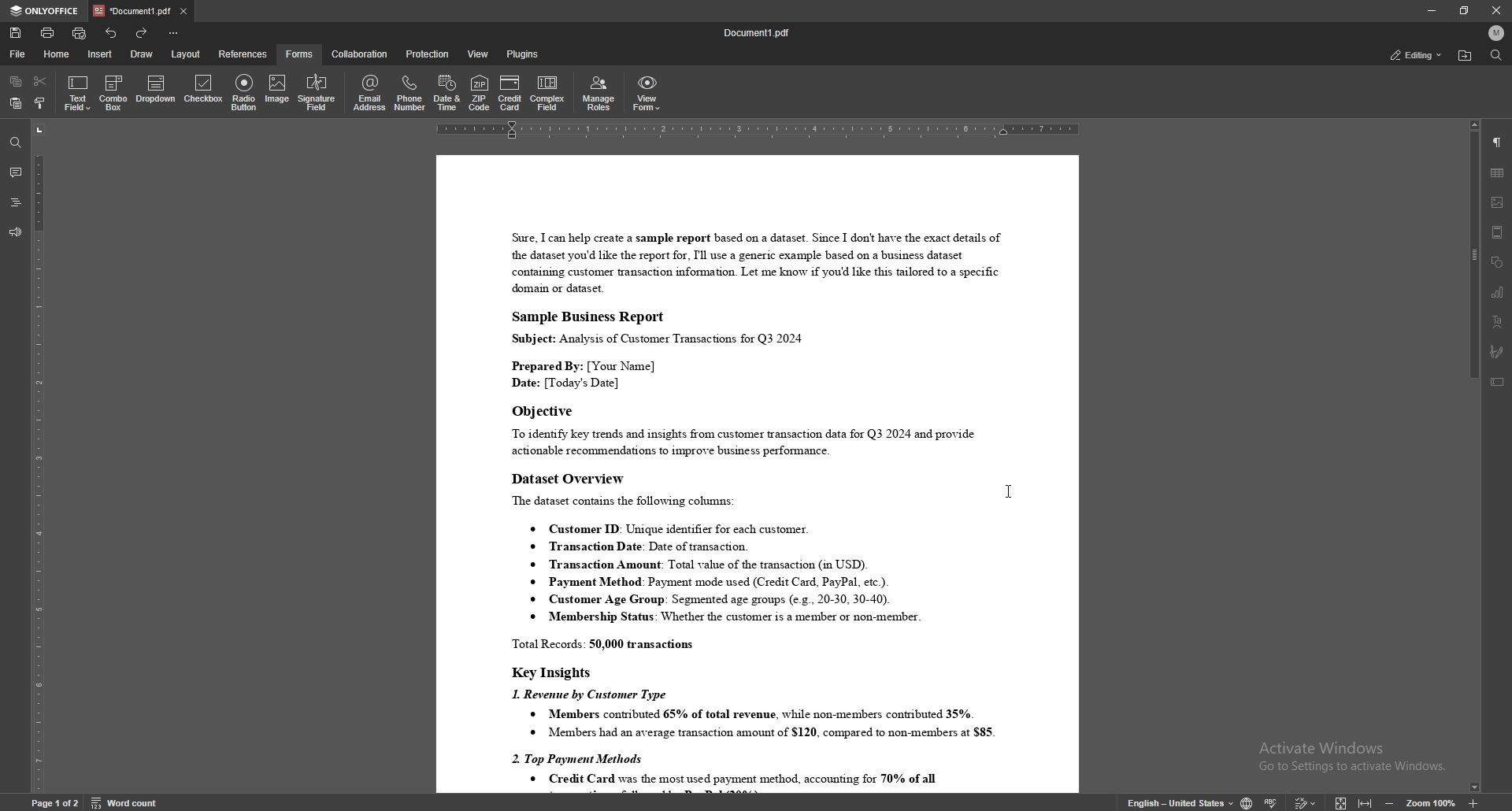 Image resolution: width=1512 pixels, height=811 pixels. What do you see at coordinates (479, 92) in the screenshot?
I see `zip code` at bounding box center [479, 92].